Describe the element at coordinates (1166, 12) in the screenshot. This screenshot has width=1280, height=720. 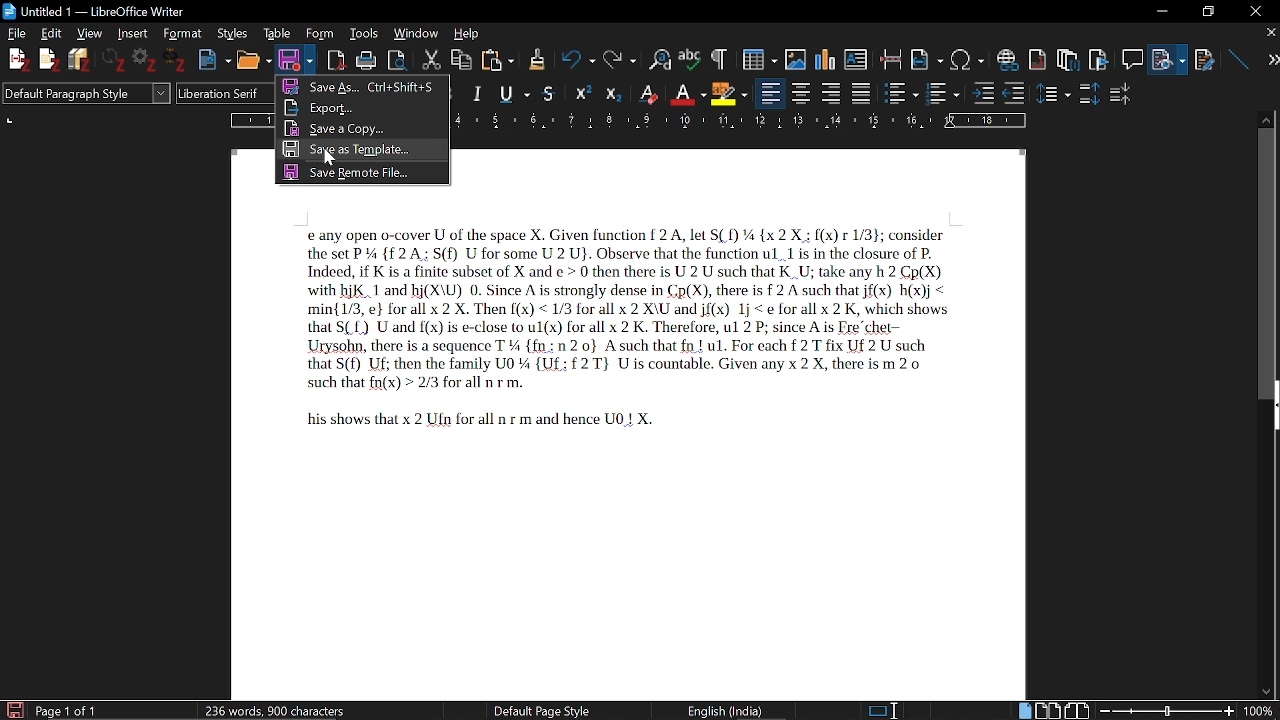
I see `minimize` at that location.